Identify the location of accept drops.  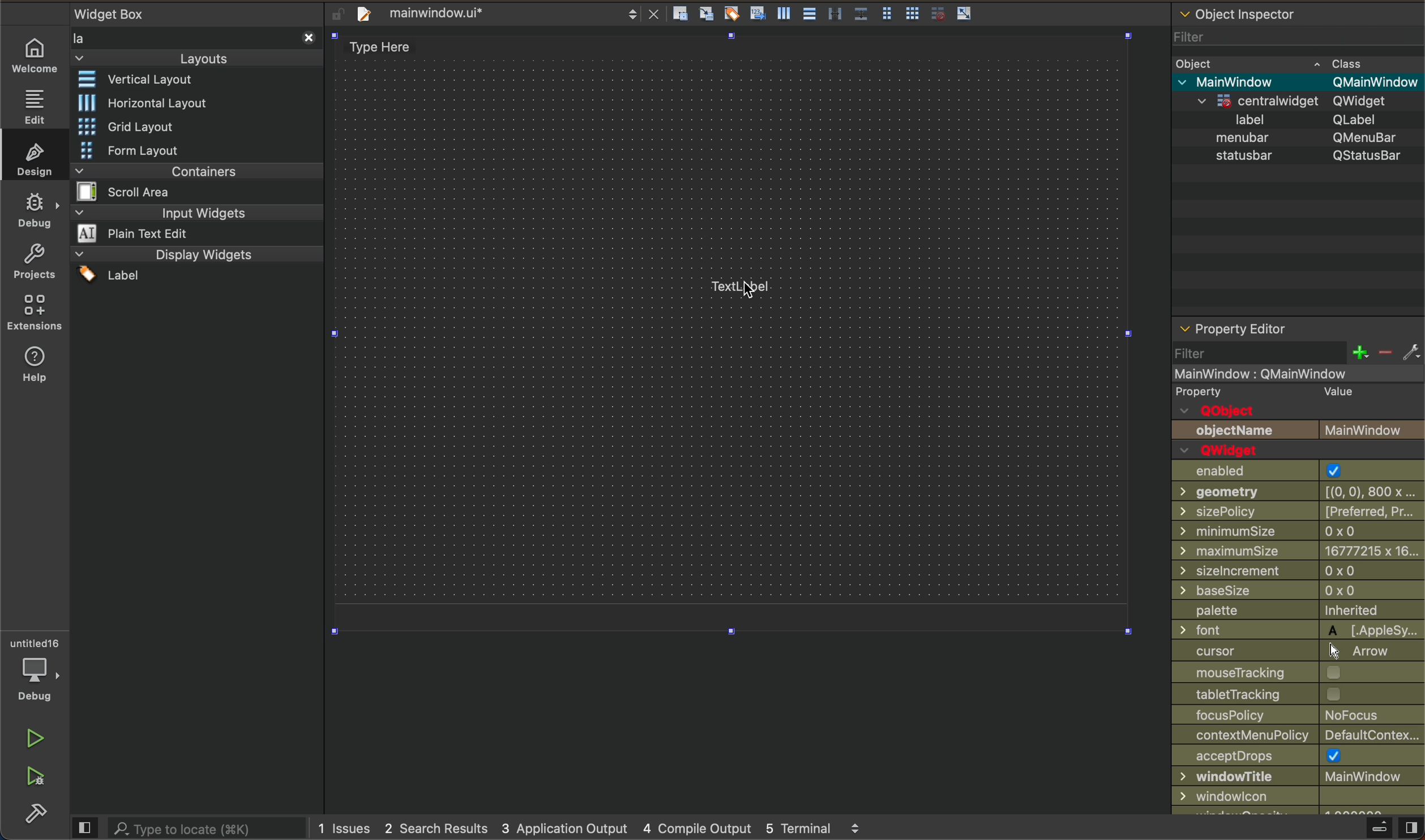
(1274, 757).